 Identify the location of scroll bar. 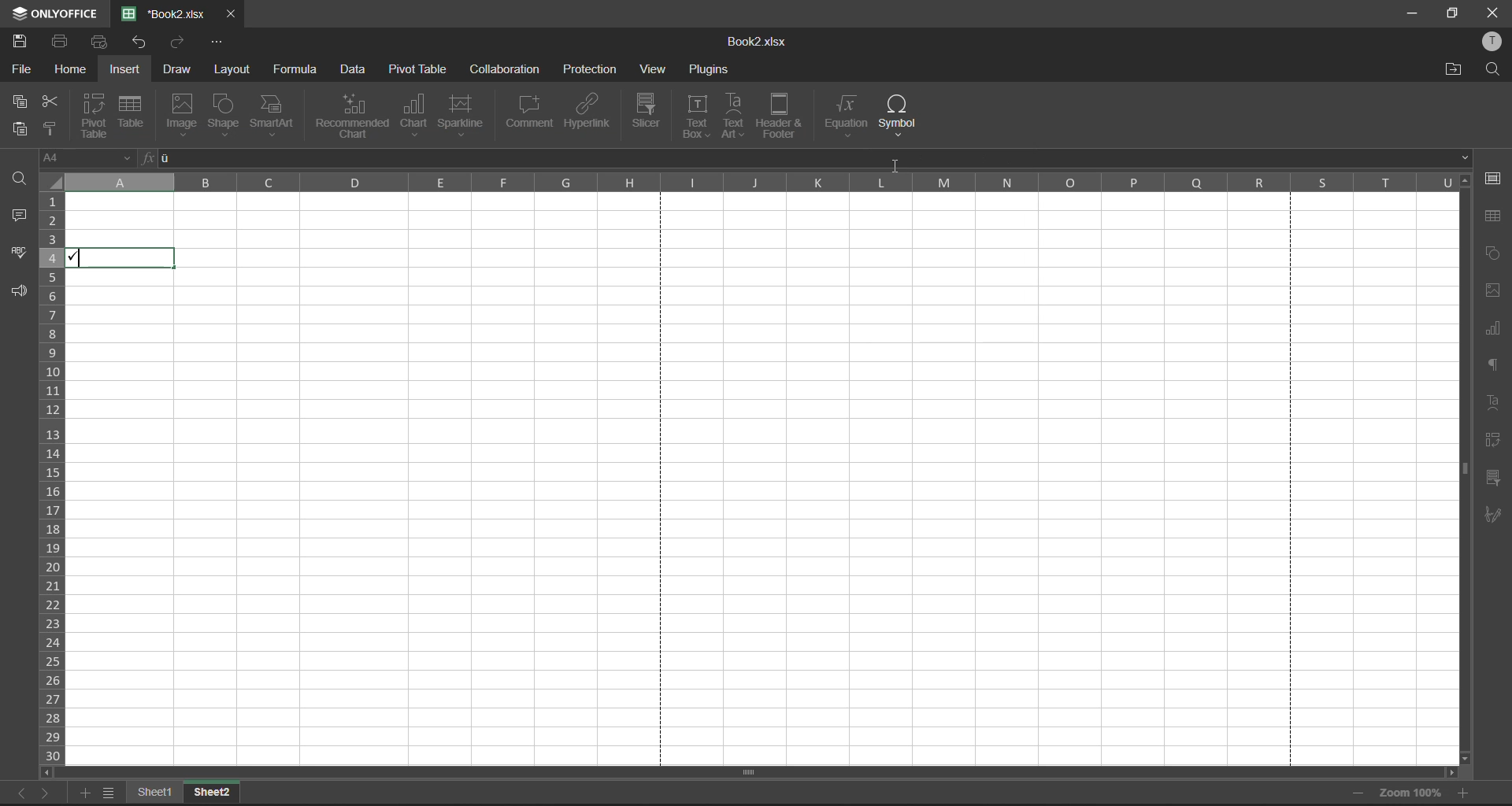
(1462, 471).